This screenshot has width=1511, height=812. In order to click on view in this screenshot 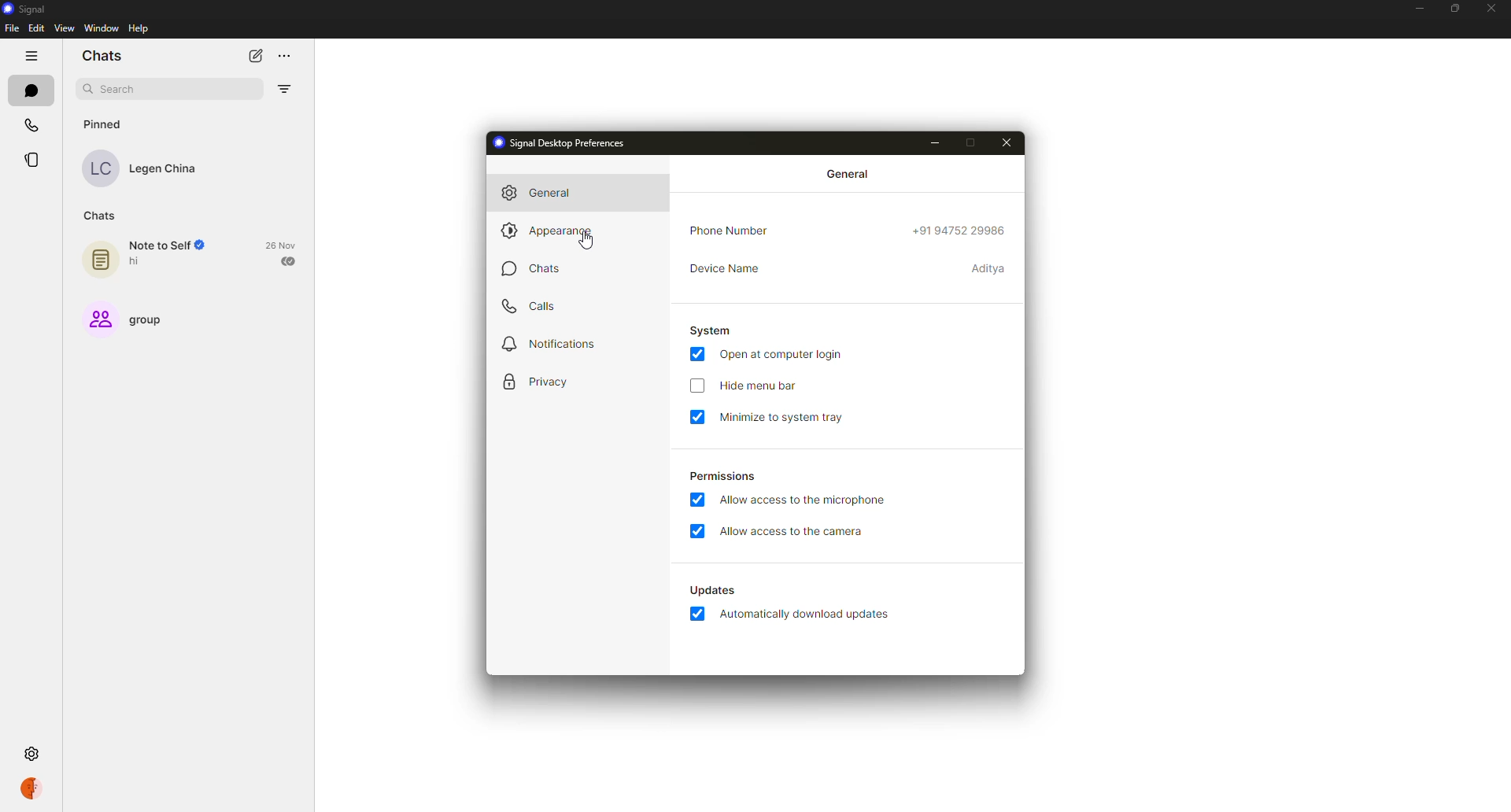, I will do `click(63, 30)`.